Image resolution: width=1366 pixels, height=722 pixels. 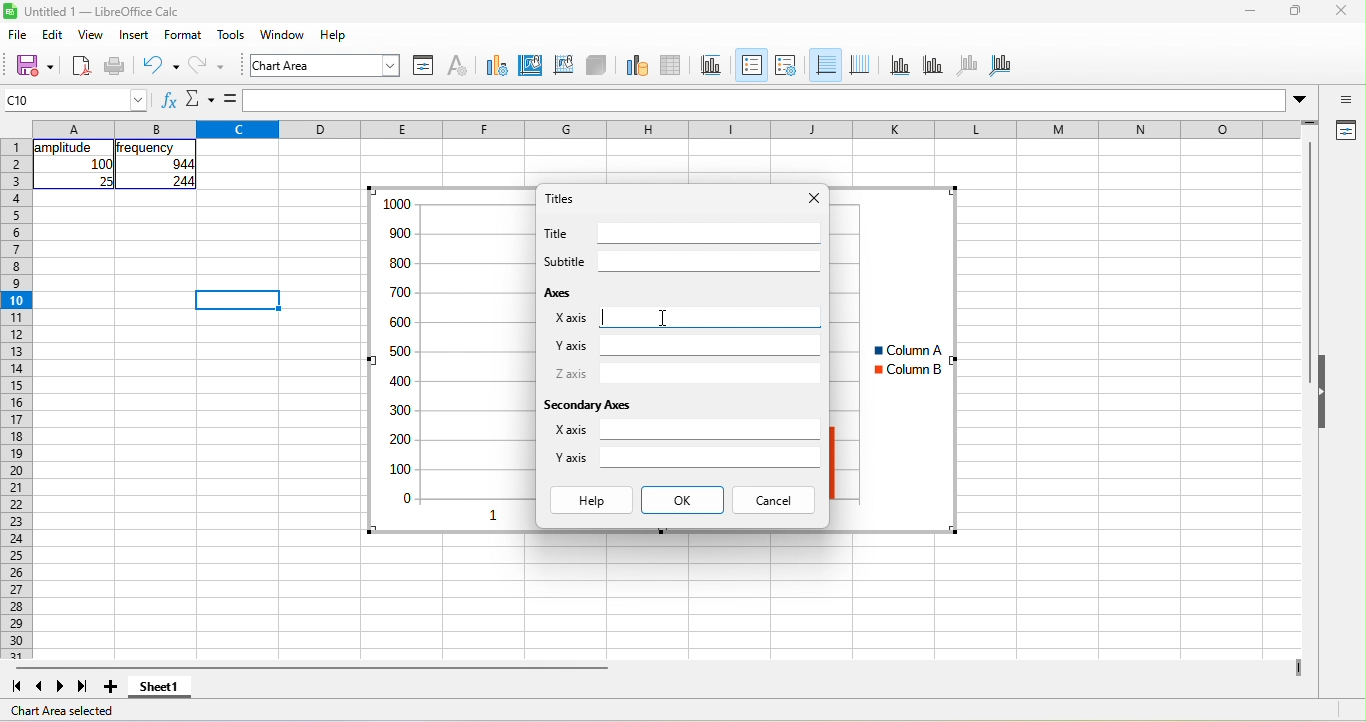 I want to click on Input for title, so click(x=710, y=233).